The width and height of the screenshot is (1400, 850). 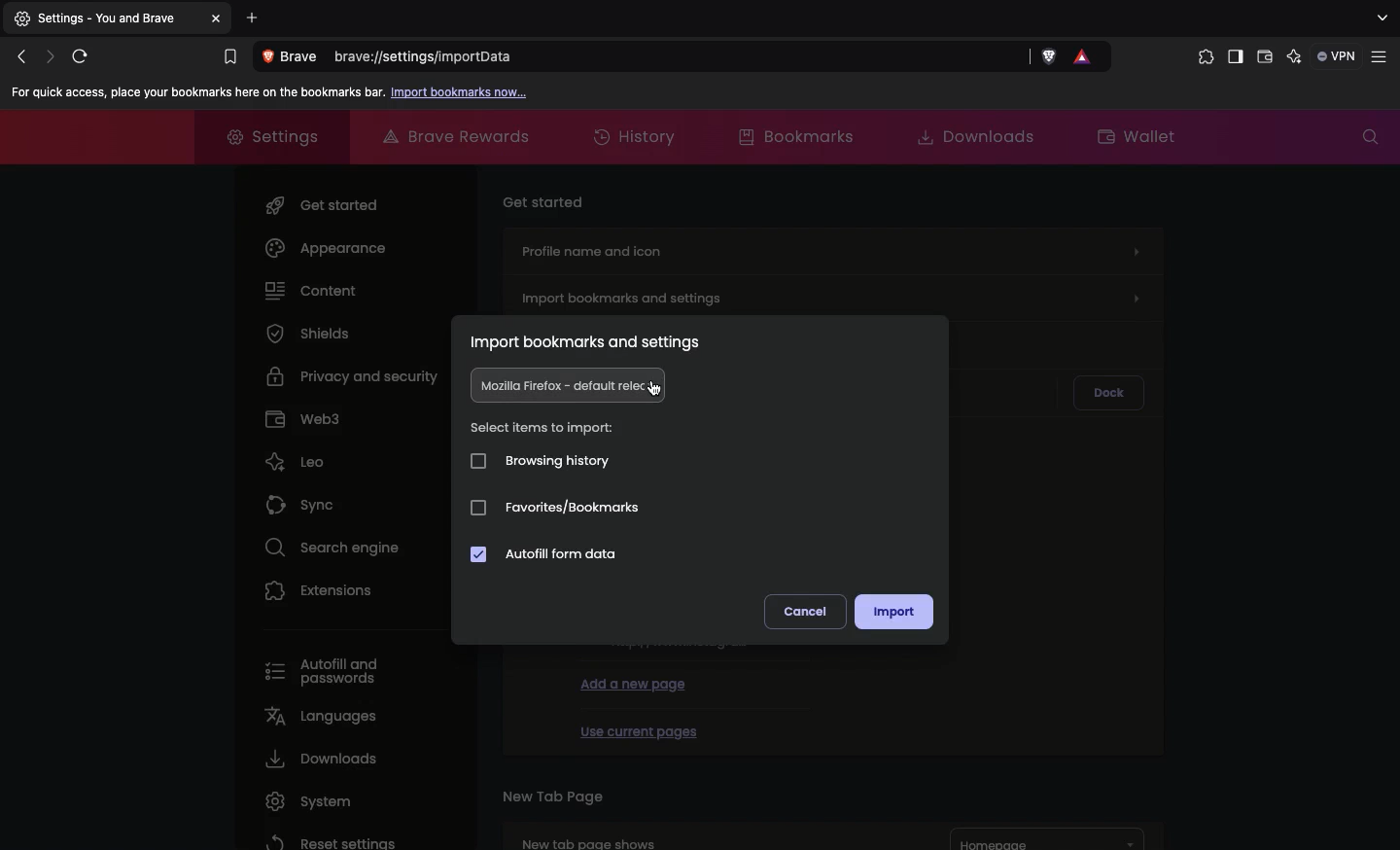 What do you see at coordinates (1048, 839) in the screenshot?
I see `Homepage` at bounding box center [1048, 839].